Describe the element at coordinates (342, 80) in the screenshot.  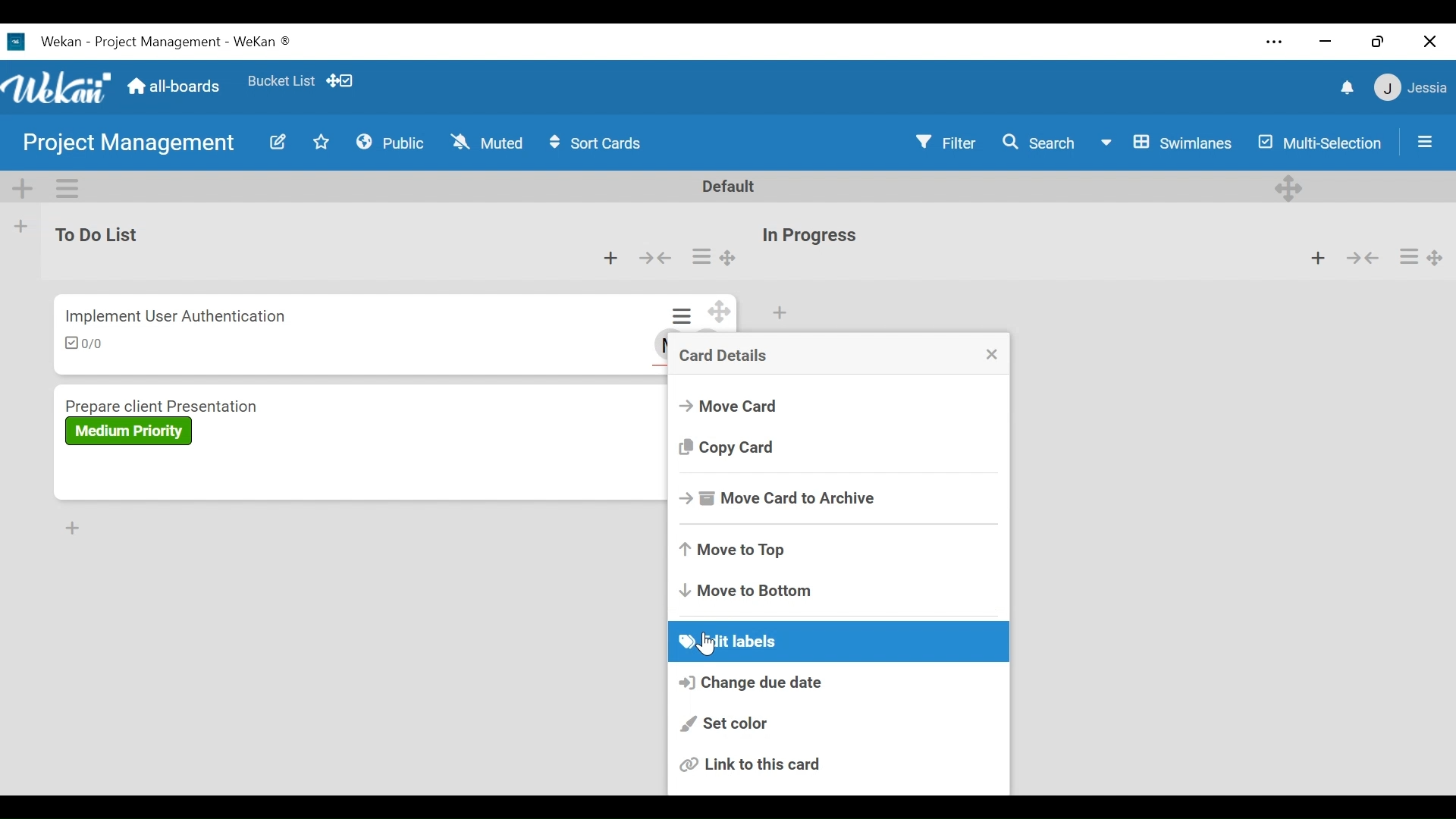
I see `Show desktop drag handles` at that location.